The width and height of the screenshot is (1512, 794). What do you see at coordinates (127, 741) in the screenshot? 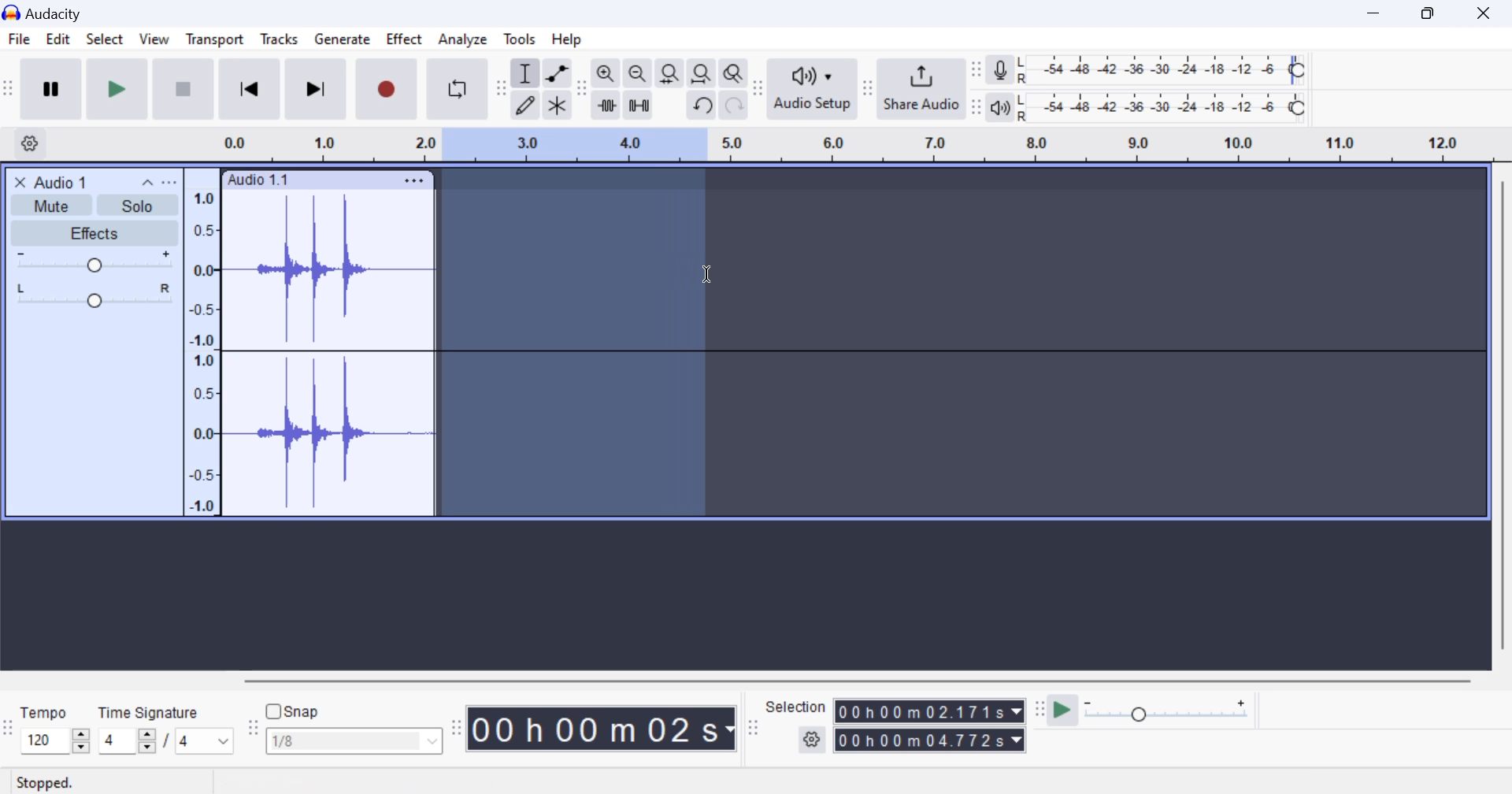
I see `increase or decrease time signature` at bounding box center [127, 741].